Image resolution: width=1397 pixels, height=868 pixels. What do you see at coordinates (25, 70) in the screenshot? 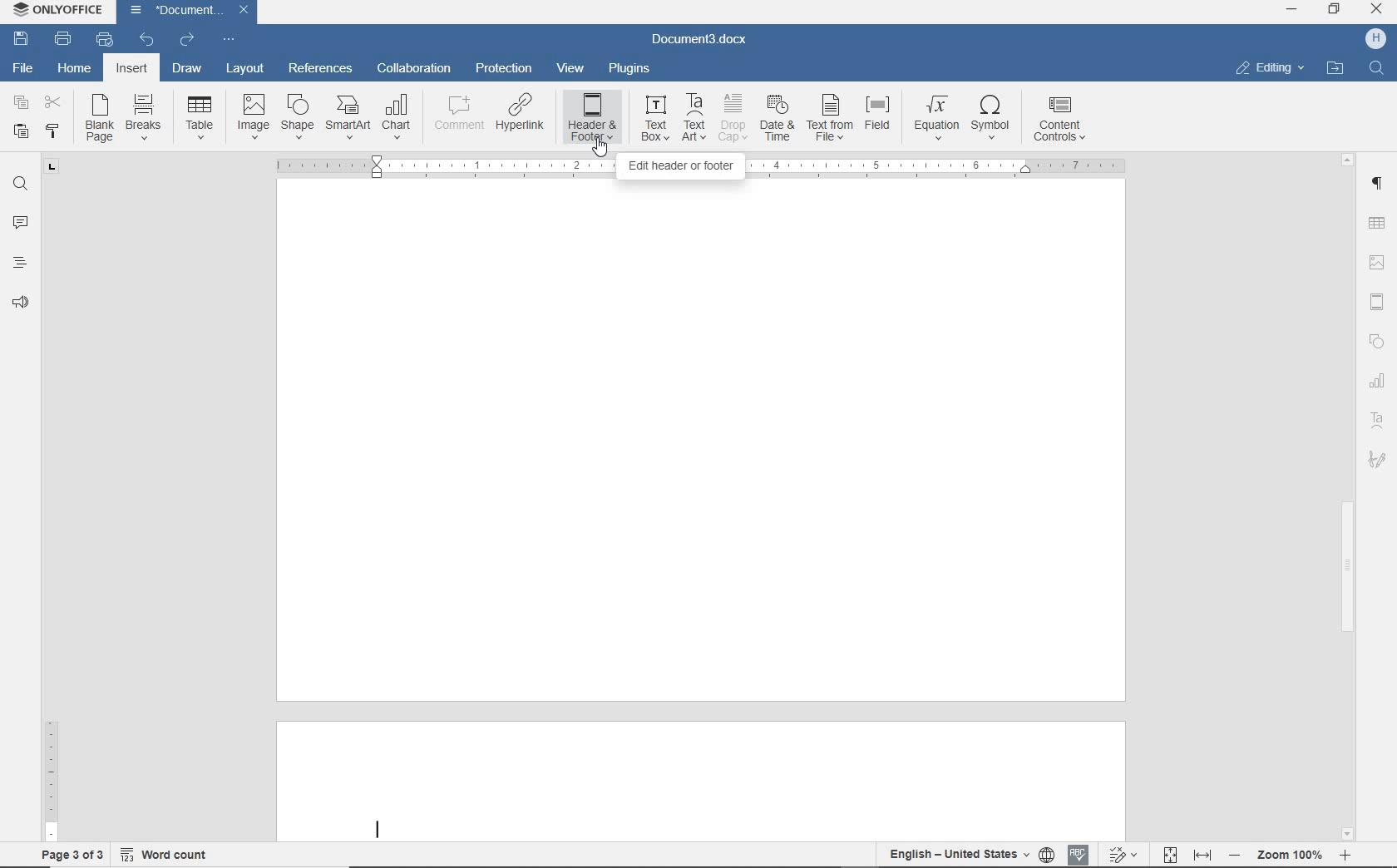
I see `FILE` at bounding box center [25, 70].